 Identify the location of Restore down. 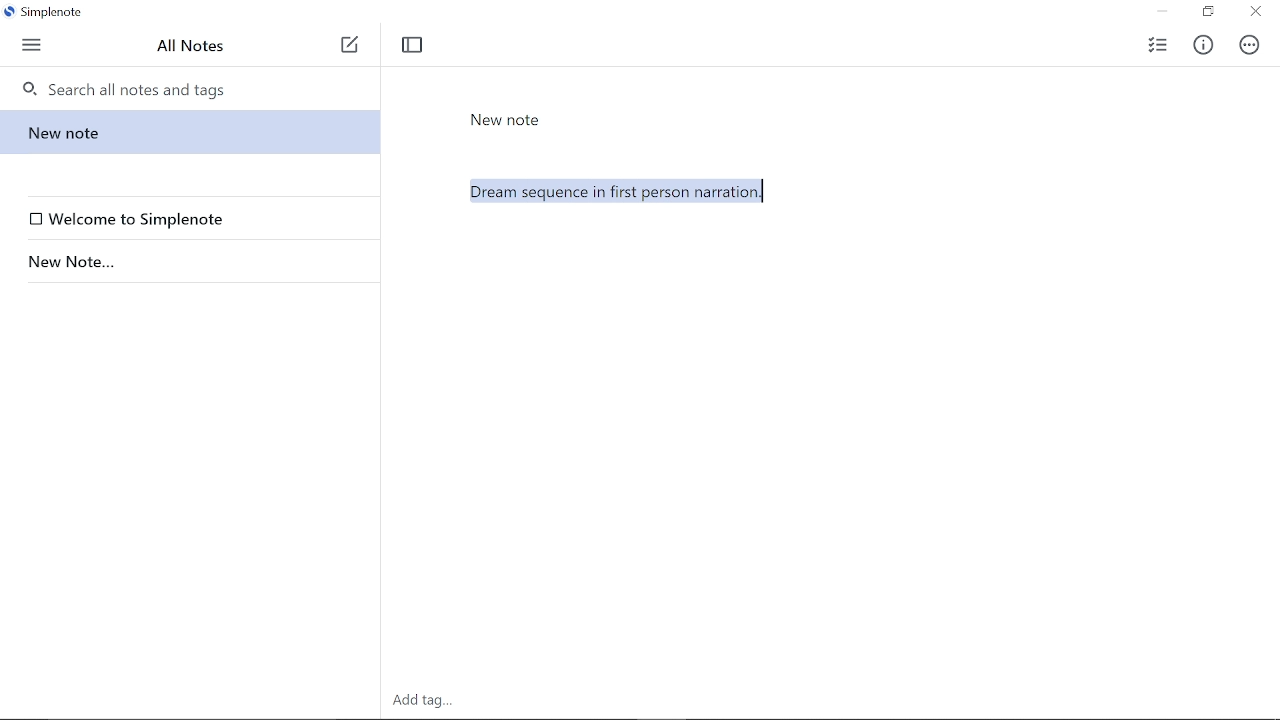
(1207, 13).